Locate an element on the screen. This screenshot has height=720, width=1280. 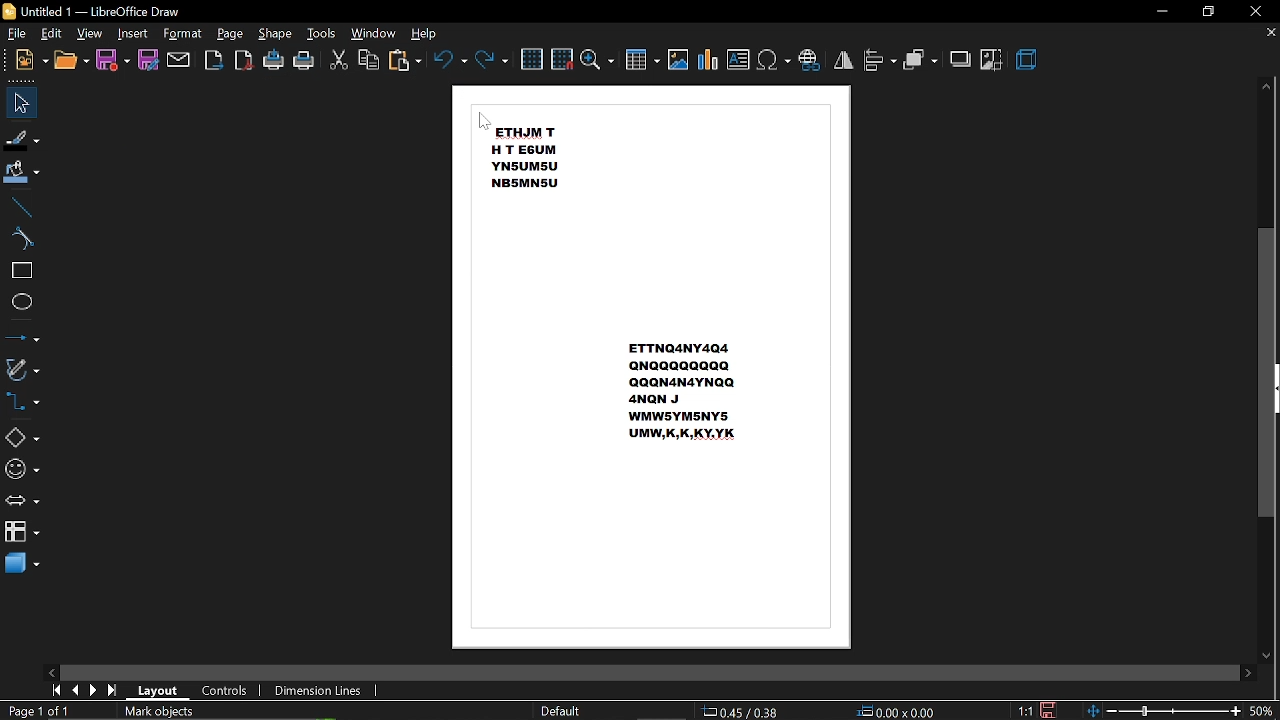
lines and arrows is located at coordinates (22, 334).